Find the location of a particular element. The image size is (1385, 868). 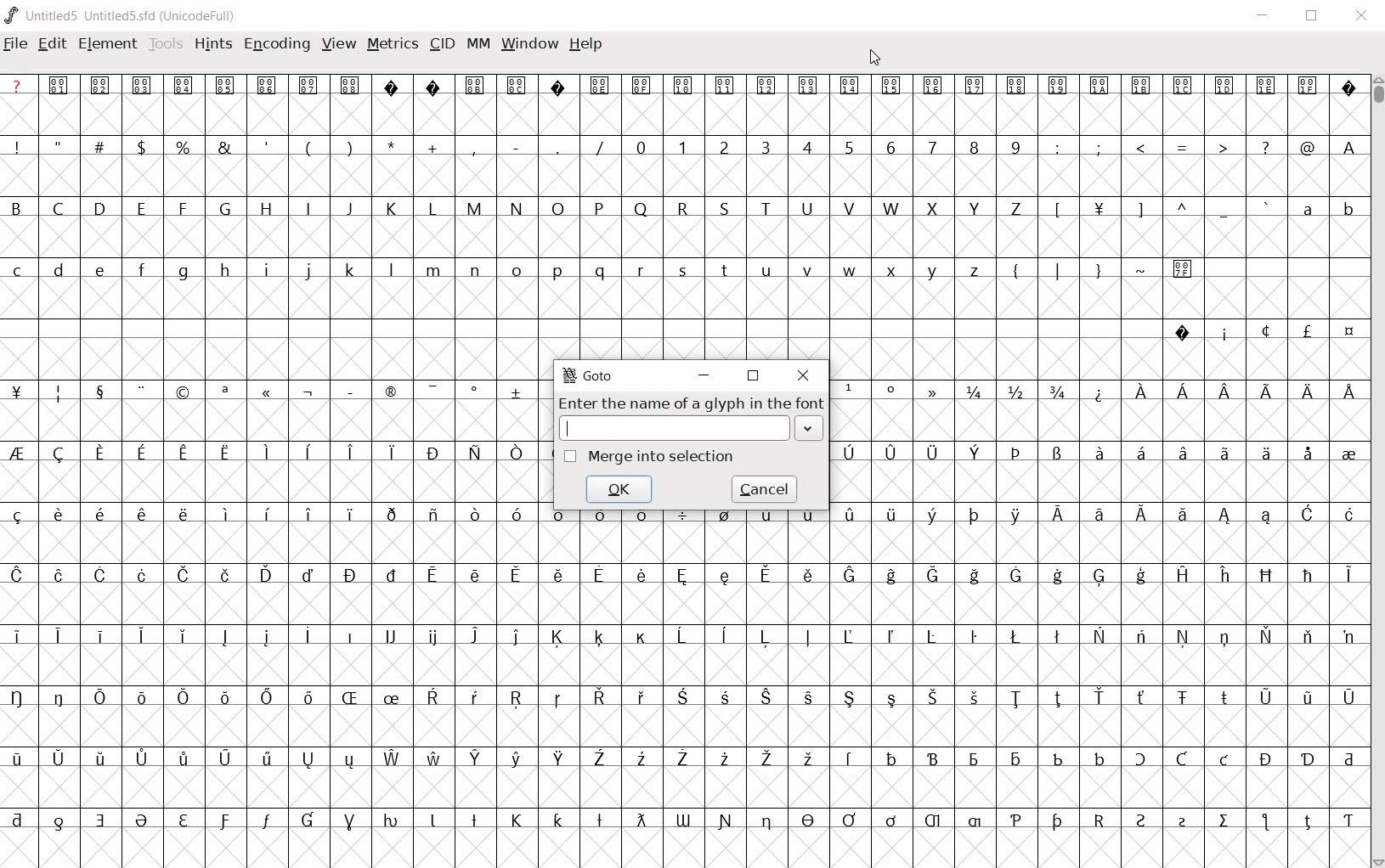

Symbol is located at coordinates (514, 575).